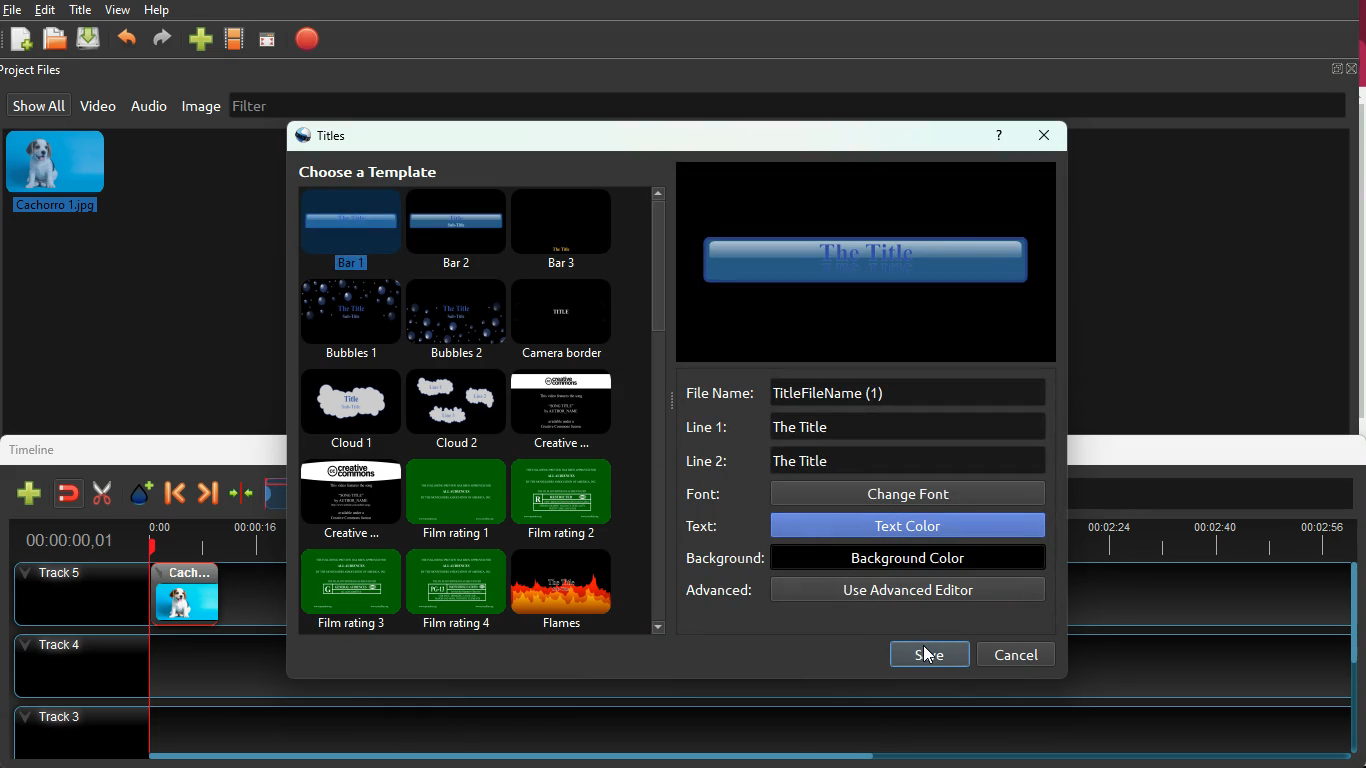 This screenshot has width=1366, height=768. Describe the element at coordinates (457, 499) in the screenshot. I see `film rating 1` at that location.